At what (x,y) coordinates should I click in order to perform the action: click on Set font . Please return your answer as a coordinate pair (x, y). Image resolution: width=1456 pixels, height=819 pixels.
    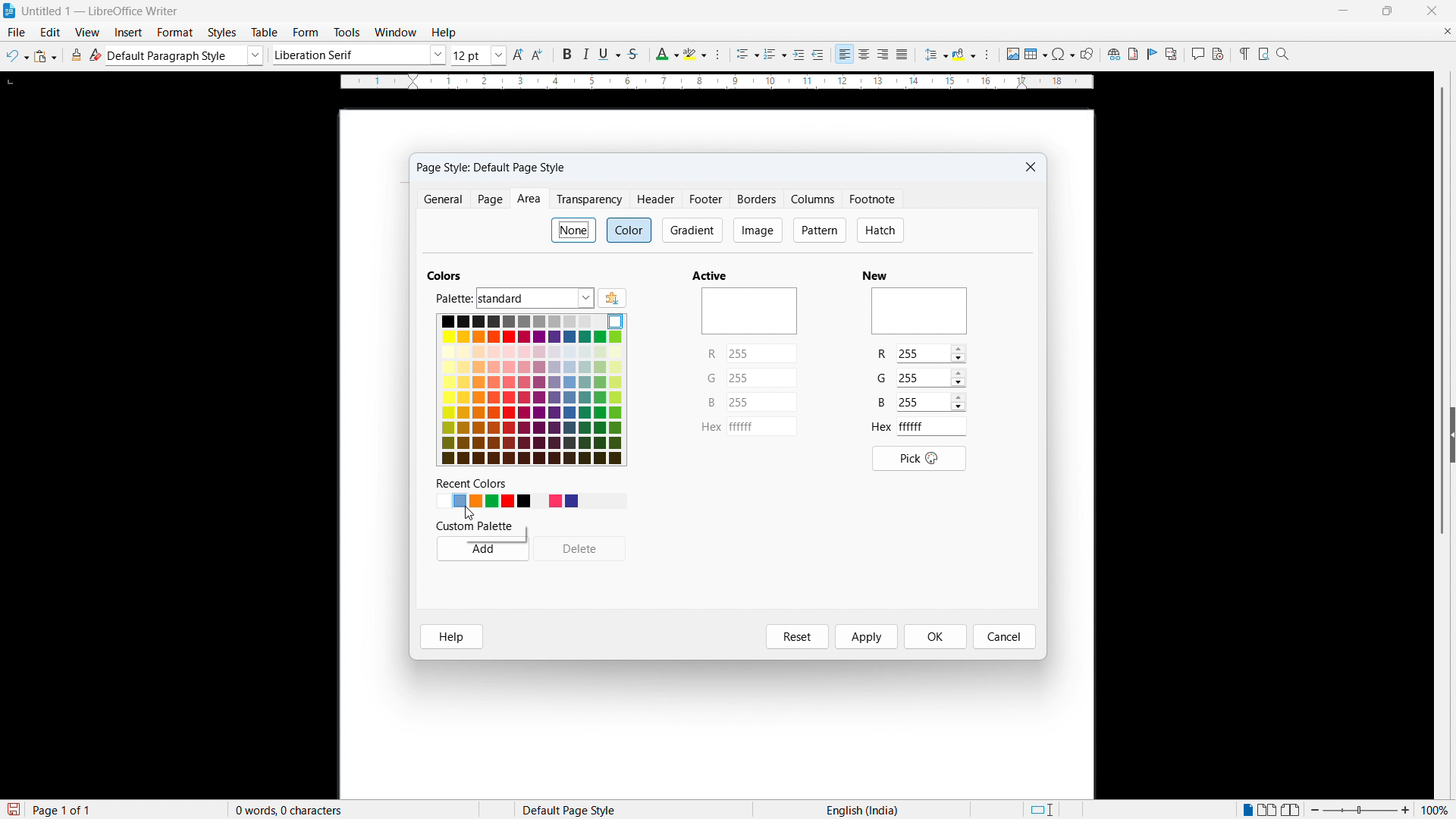
    Looking at the image, I should click on (359, 55).